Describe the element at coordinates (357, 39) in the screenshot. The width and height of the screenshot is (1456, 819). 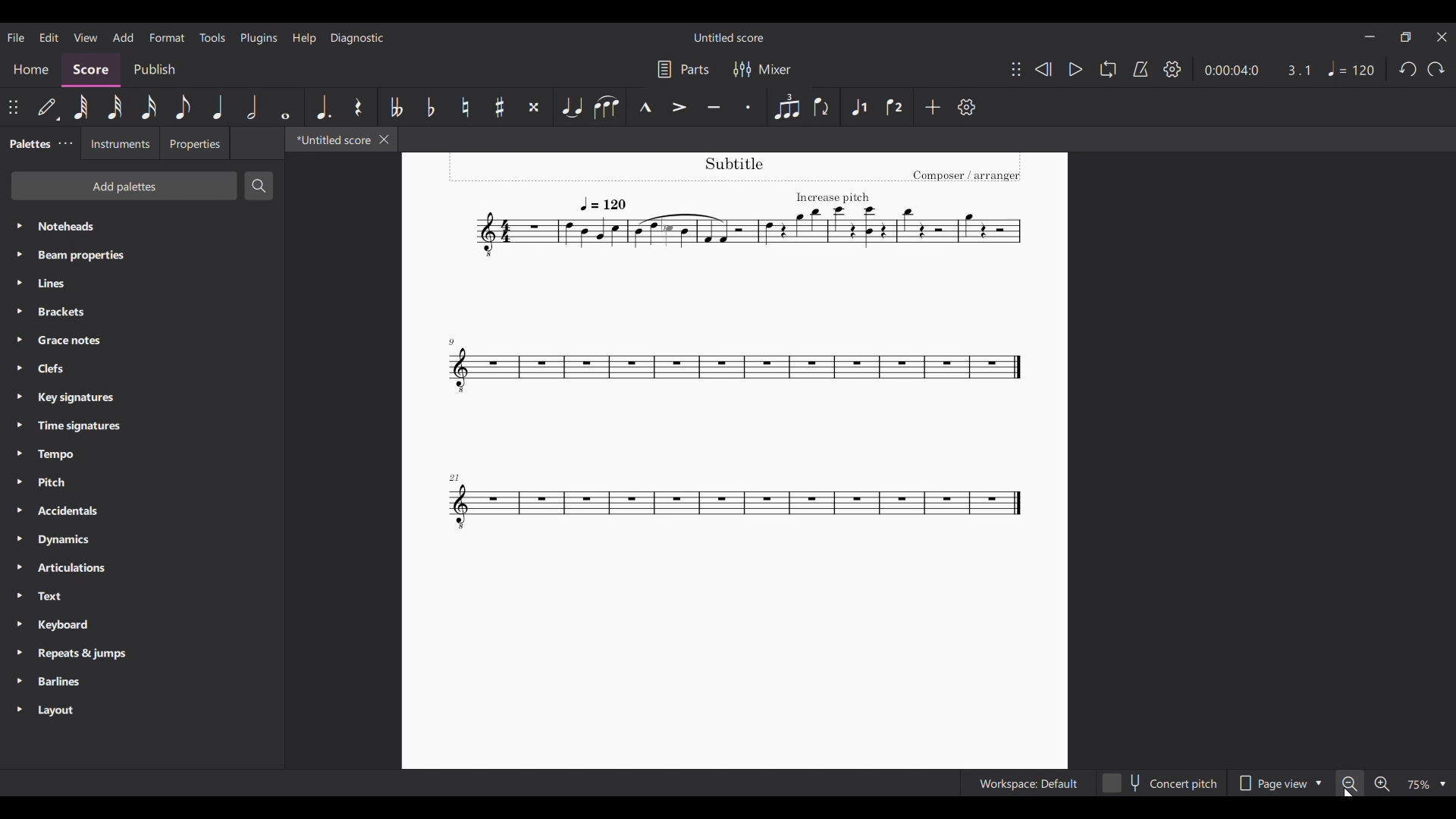
I see `Diagnostic menu` at that location.